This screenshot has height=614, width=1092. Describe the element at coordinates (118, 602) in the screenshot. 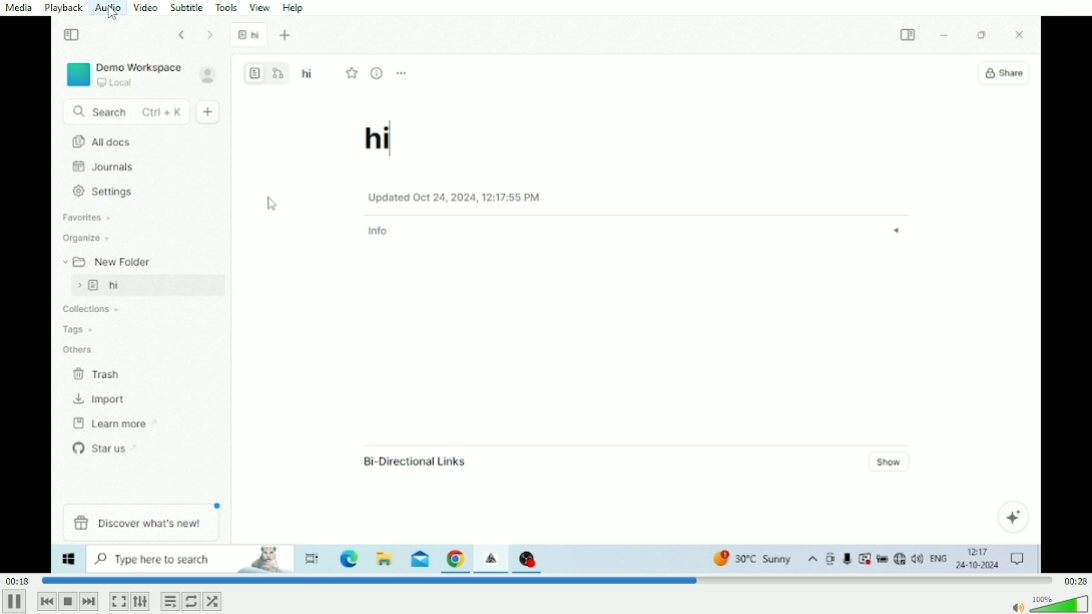

I see `Toggle the video in fullscreen` at that location.